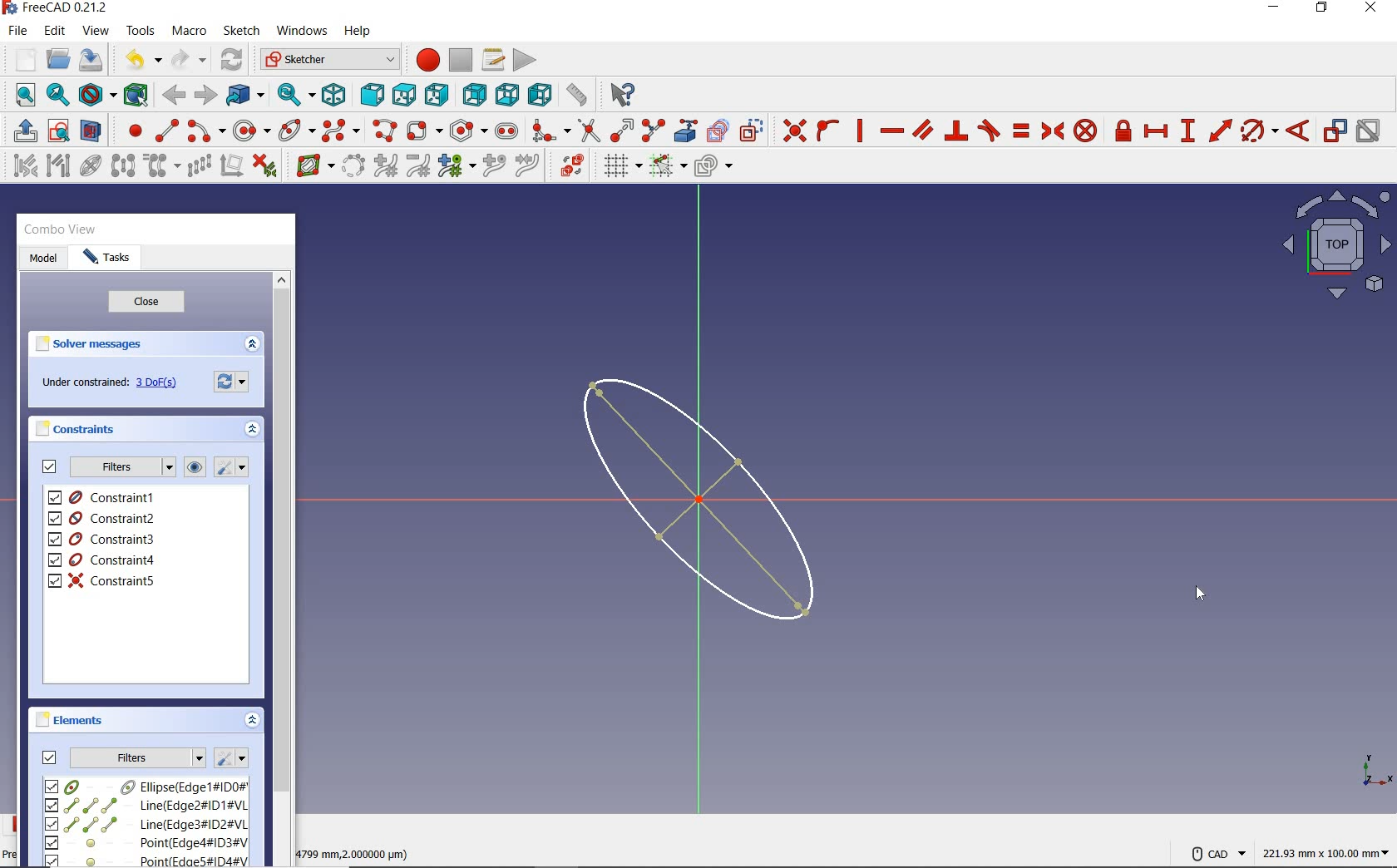 This screenshot has width=1397, height=868. What do you see at coordinates (131, 131) in the screenshot?
I see `create point` at bounding box center [131, 131].